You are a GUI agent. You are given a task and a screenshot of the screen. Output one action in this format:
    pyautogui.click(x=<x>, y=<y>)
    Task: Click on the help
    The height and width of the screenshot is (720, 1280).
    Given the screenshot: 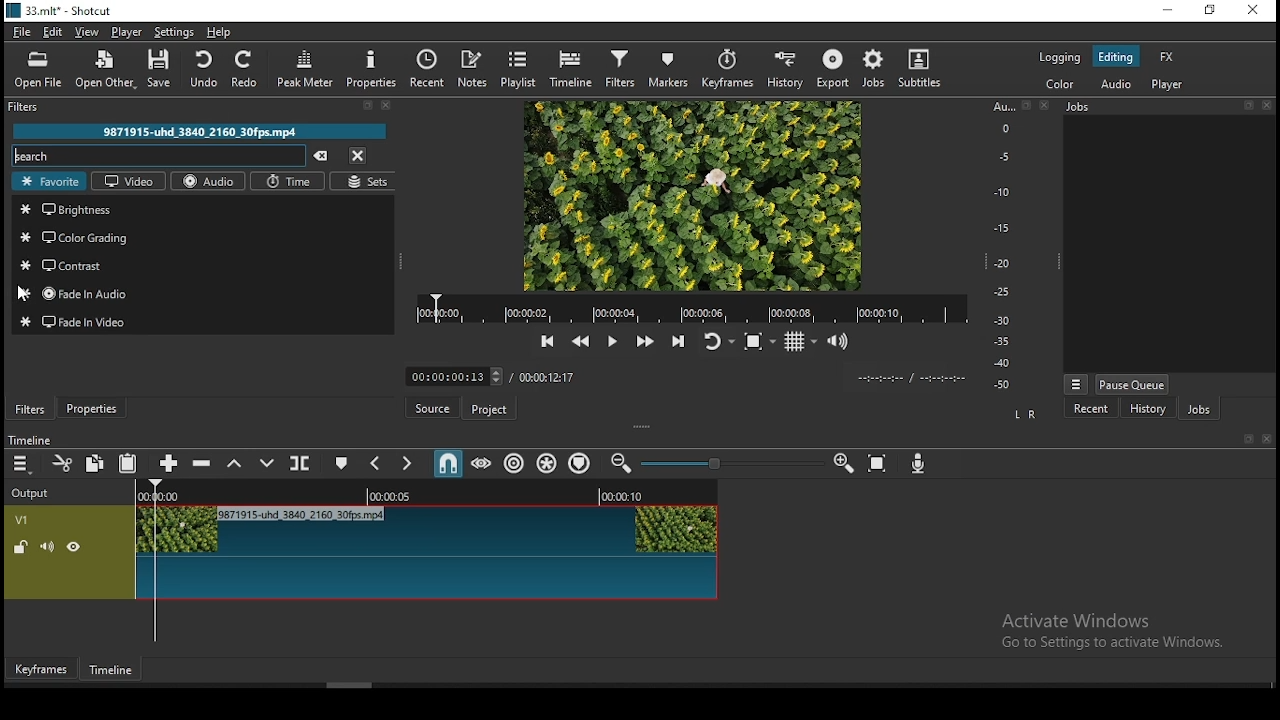 What is the action you would take?
    pyautogui.click(x=220, y=32)
    